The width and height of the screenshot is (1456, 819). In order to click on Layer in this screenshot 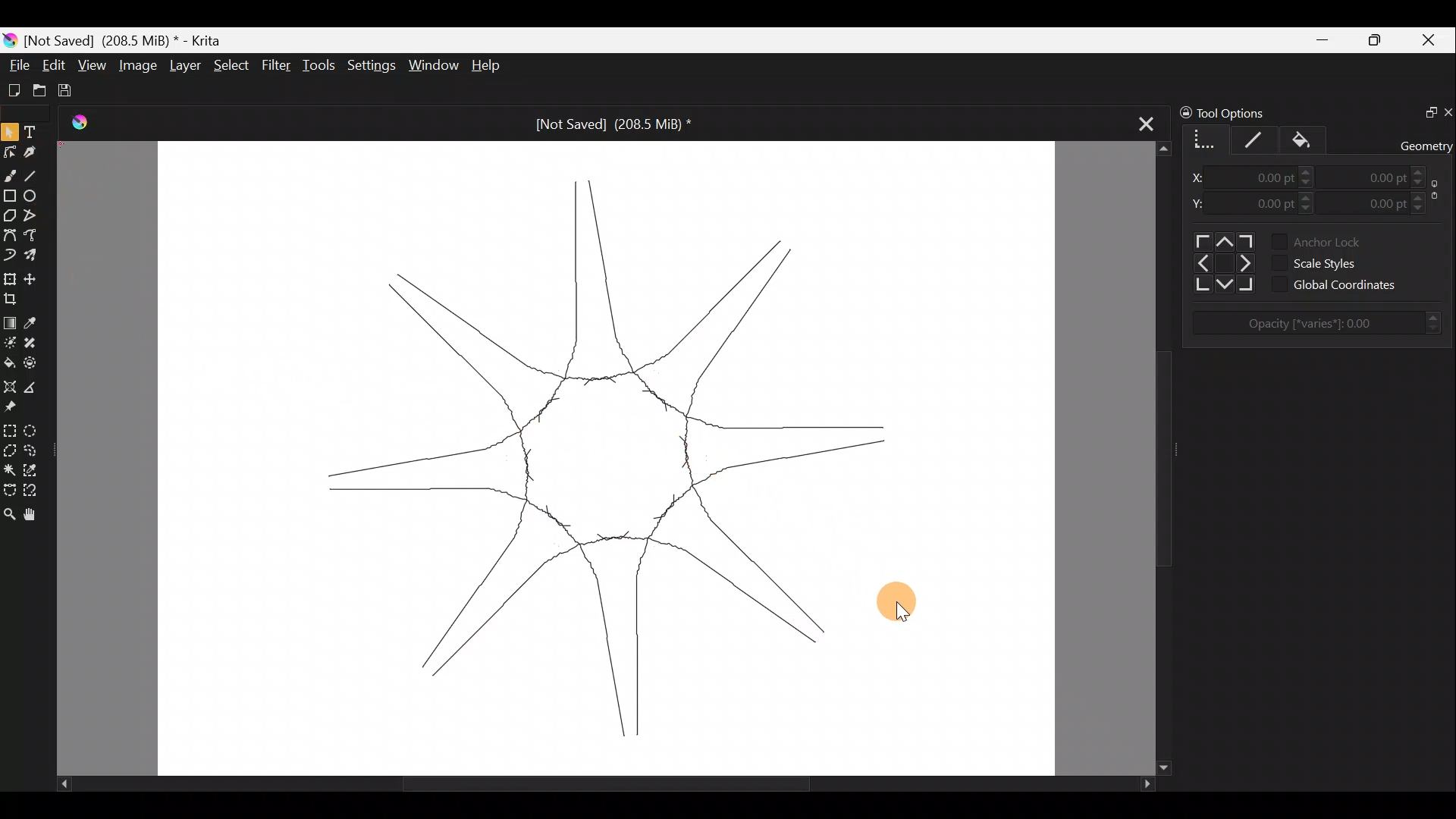, I will do `click(183, 65)`.